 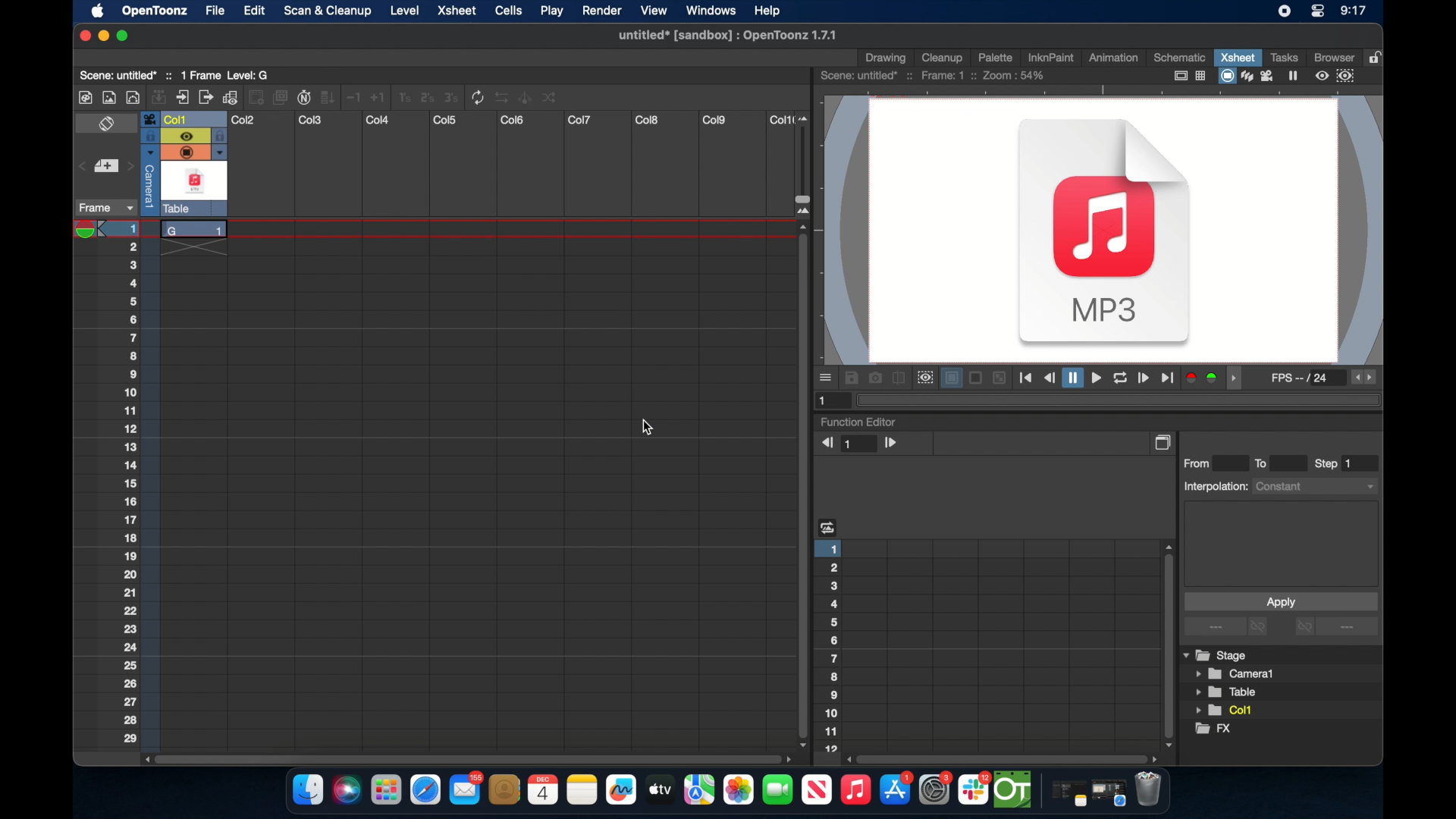 What do you see at coordinates (551, 11) in the screenshot?
I see `play` at bounding box center [551, 11].